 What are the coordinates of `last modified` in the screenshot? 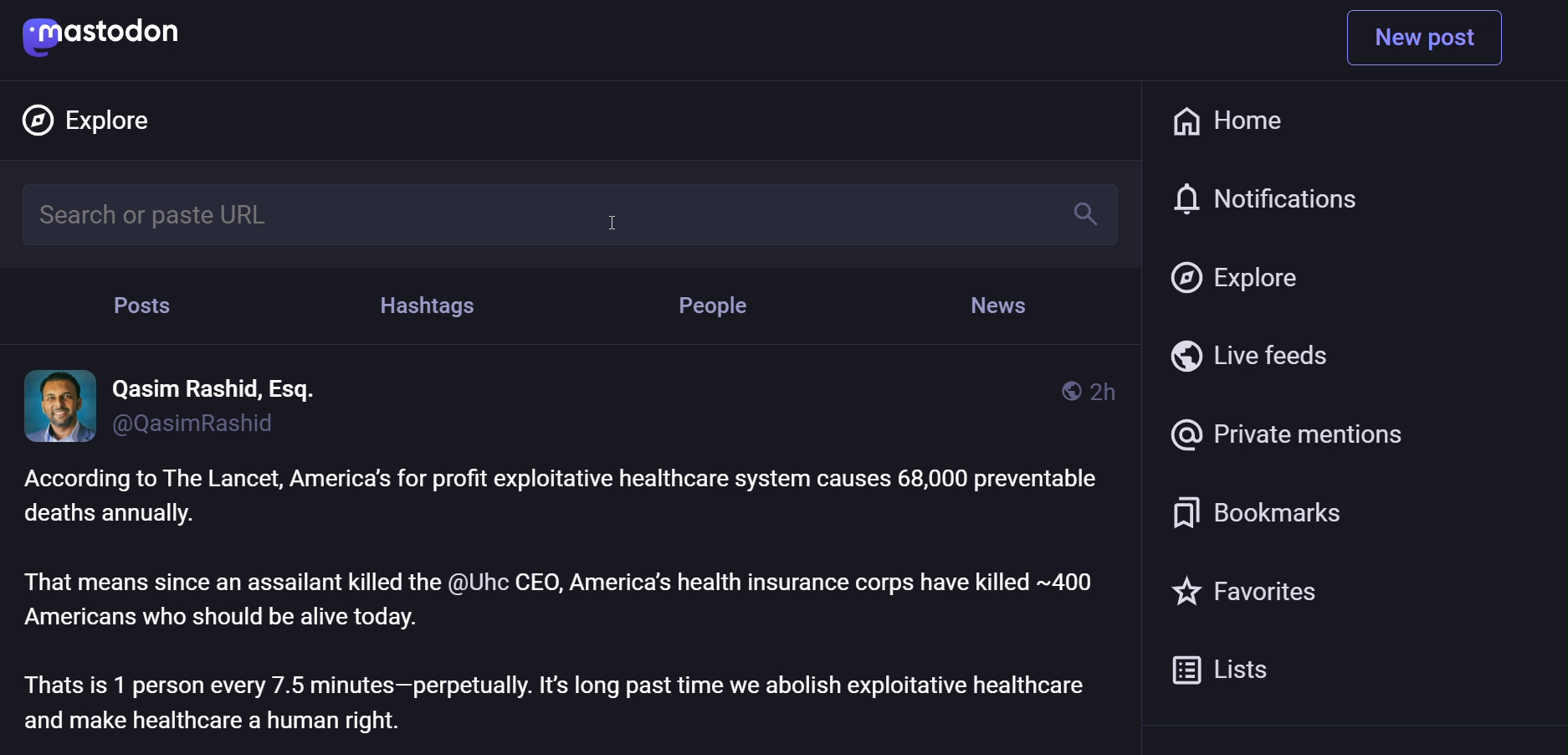 It's located at (1104, 393).